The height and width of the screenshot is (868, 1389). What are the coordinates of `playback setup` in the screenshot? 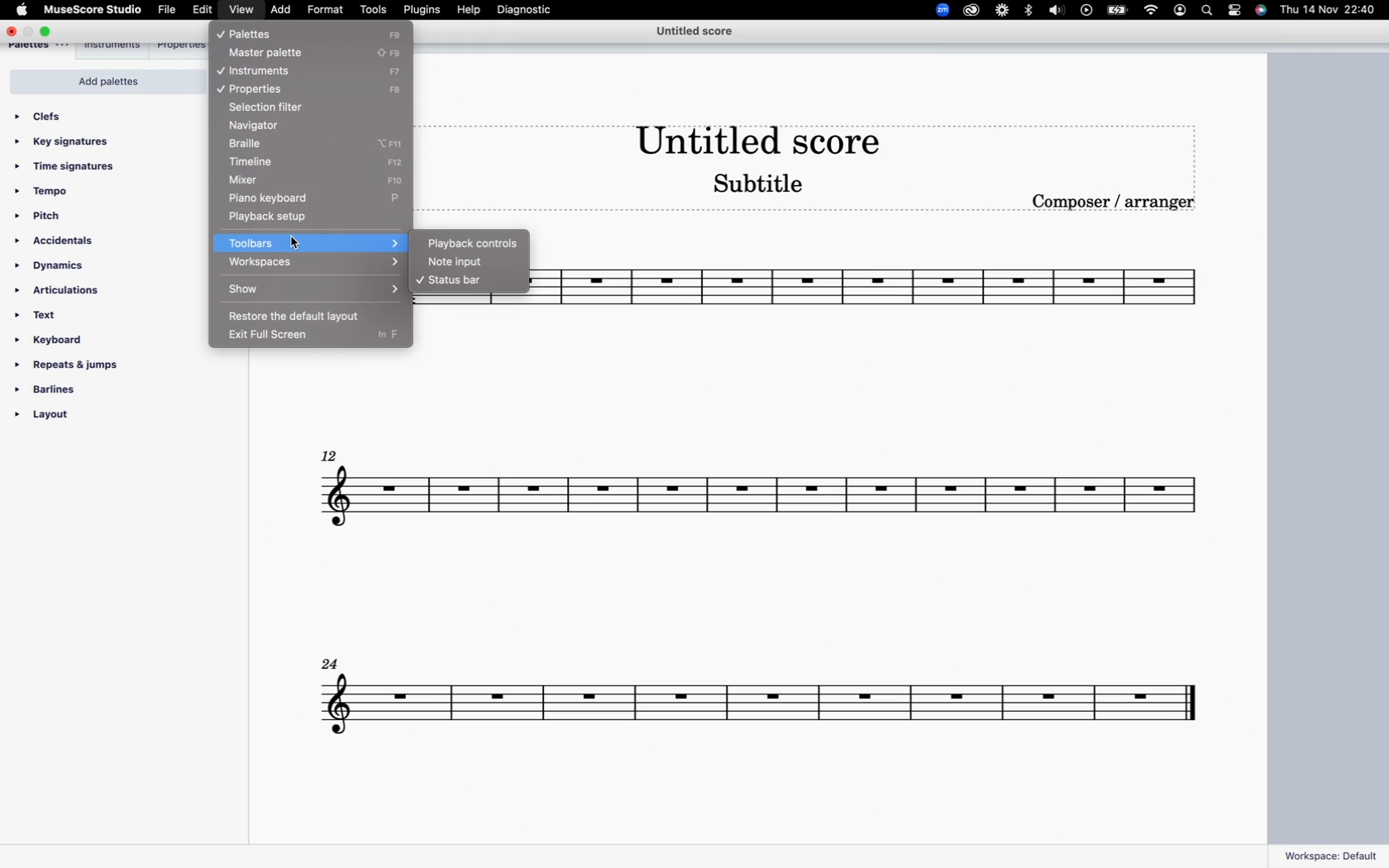 It's located at (283, 218).